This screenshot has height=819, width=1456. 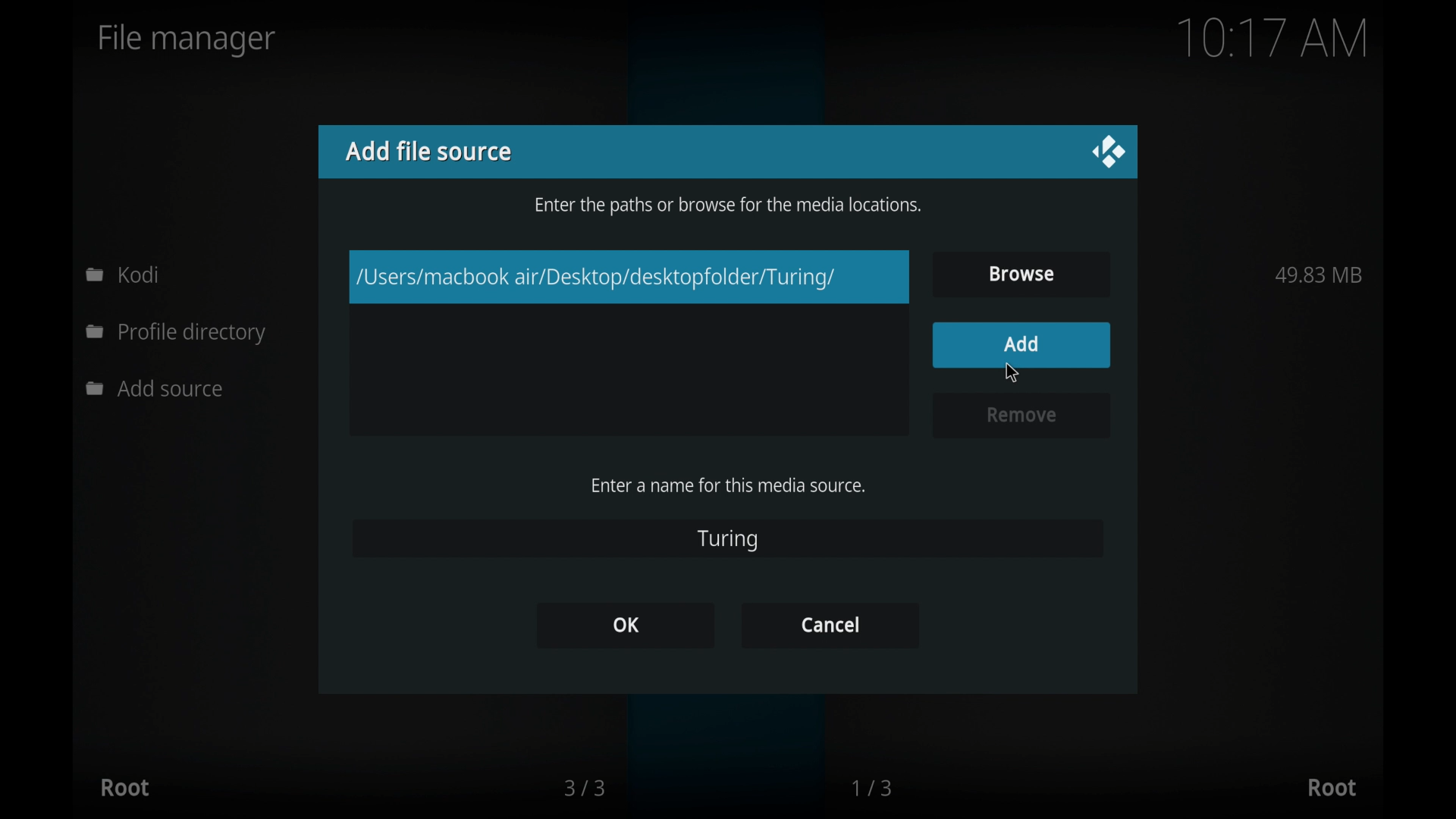 What do you see at coordinates (179, 334) in the screenshot?
I see `profile directory` at bounding box center [179, 334].